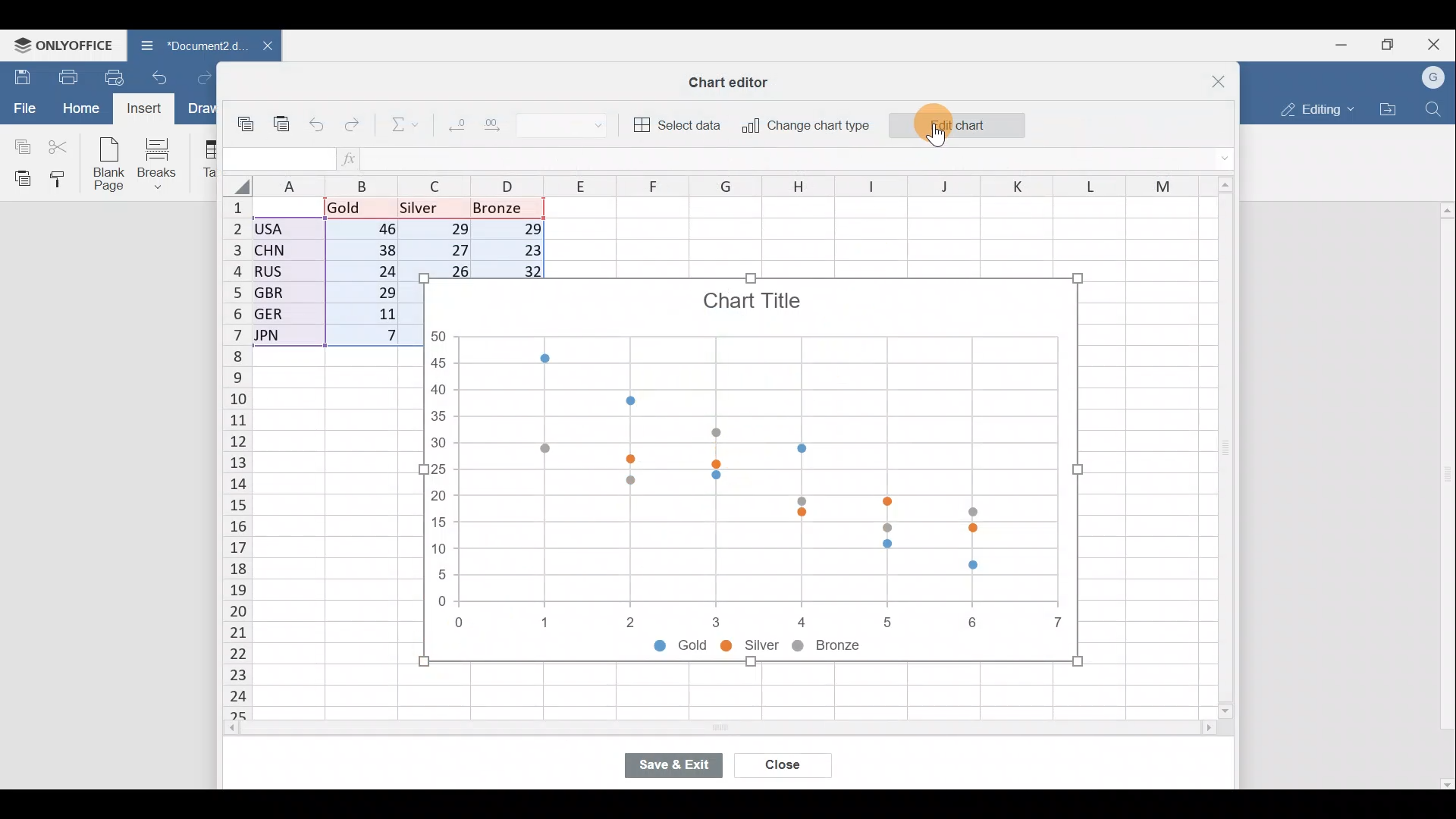  I want to click on Chart image, so click(752, 471).